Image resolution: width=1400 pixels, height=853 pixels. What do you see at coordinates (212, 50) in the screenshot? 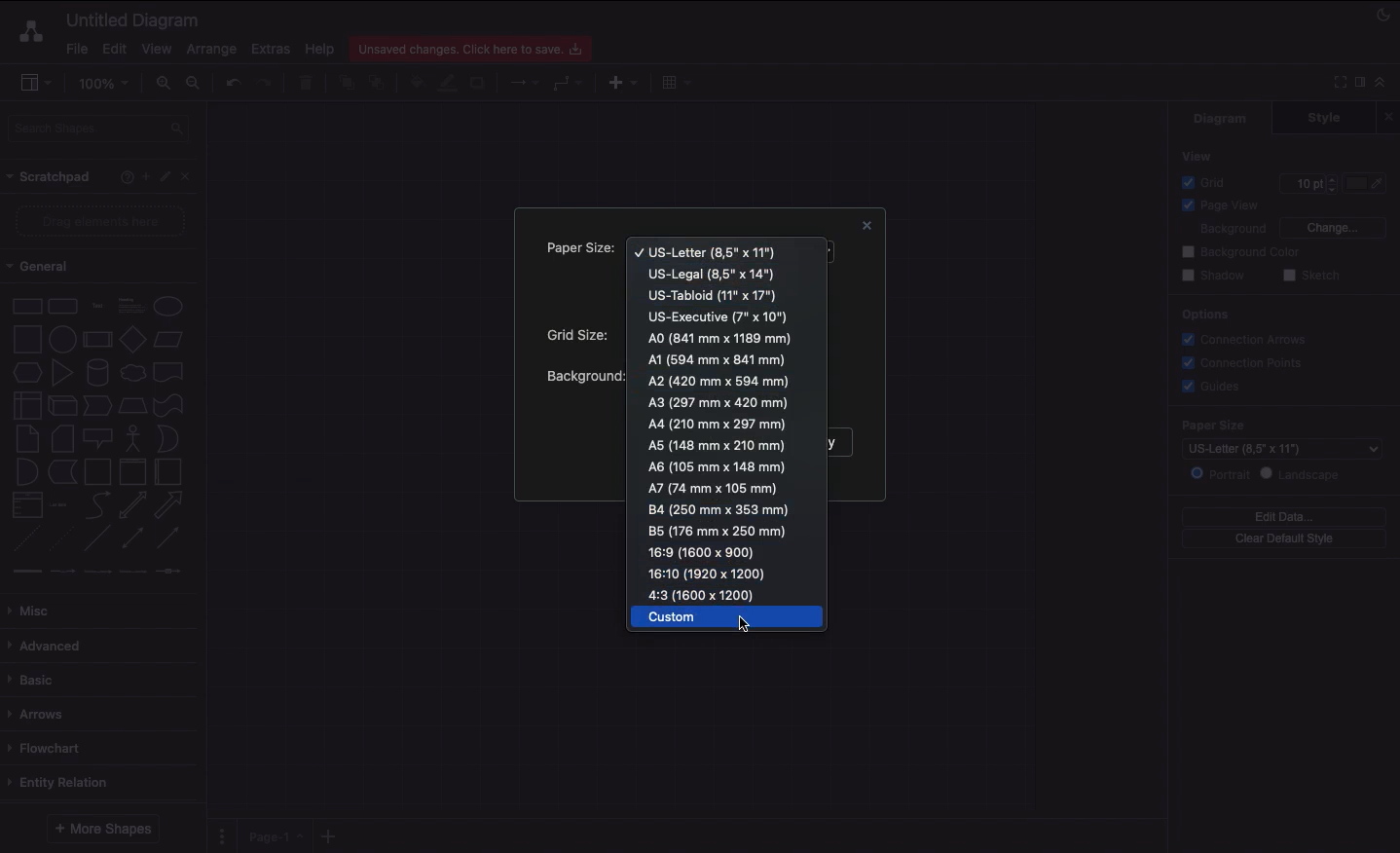
I see `Arrange` at bounding box center [212, 50].